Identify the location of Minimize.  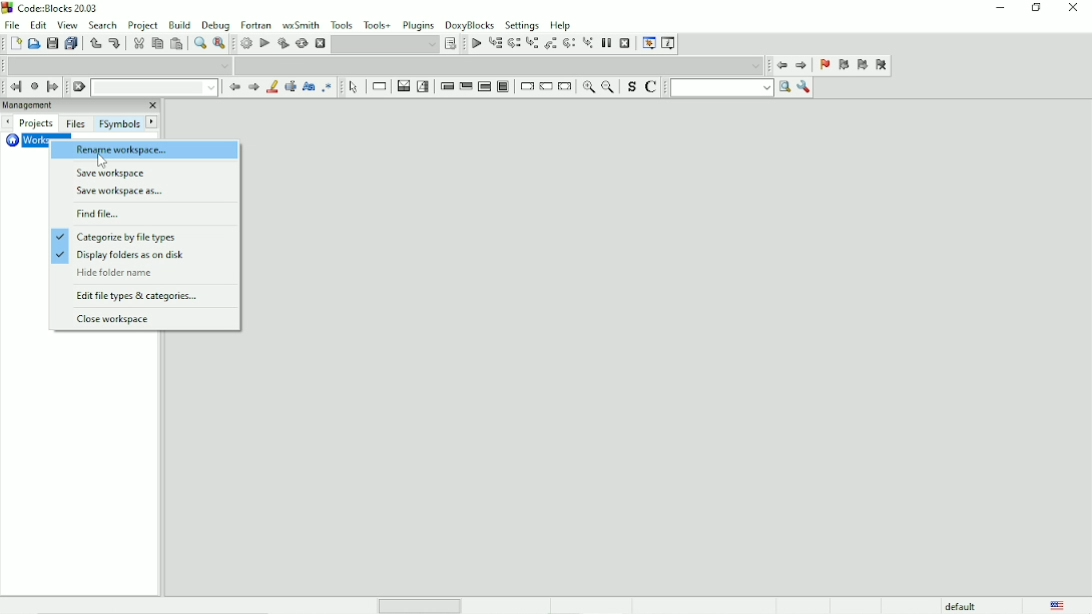
(999, 8).